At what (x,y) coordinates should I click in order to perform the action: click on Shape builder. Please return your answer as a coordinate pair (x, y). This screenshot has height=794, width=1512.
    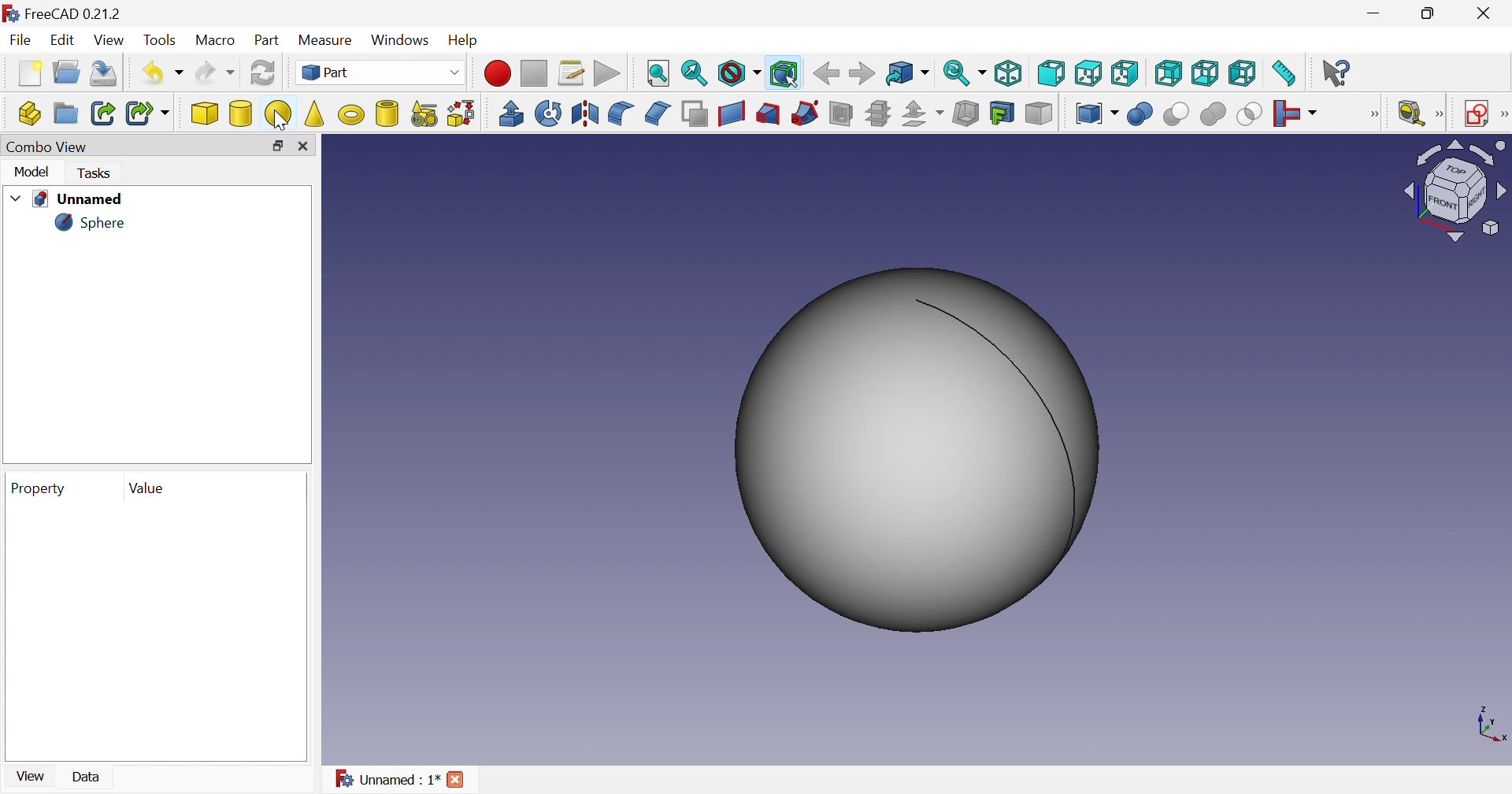
    Looking at the image, I should click on (460, 114).